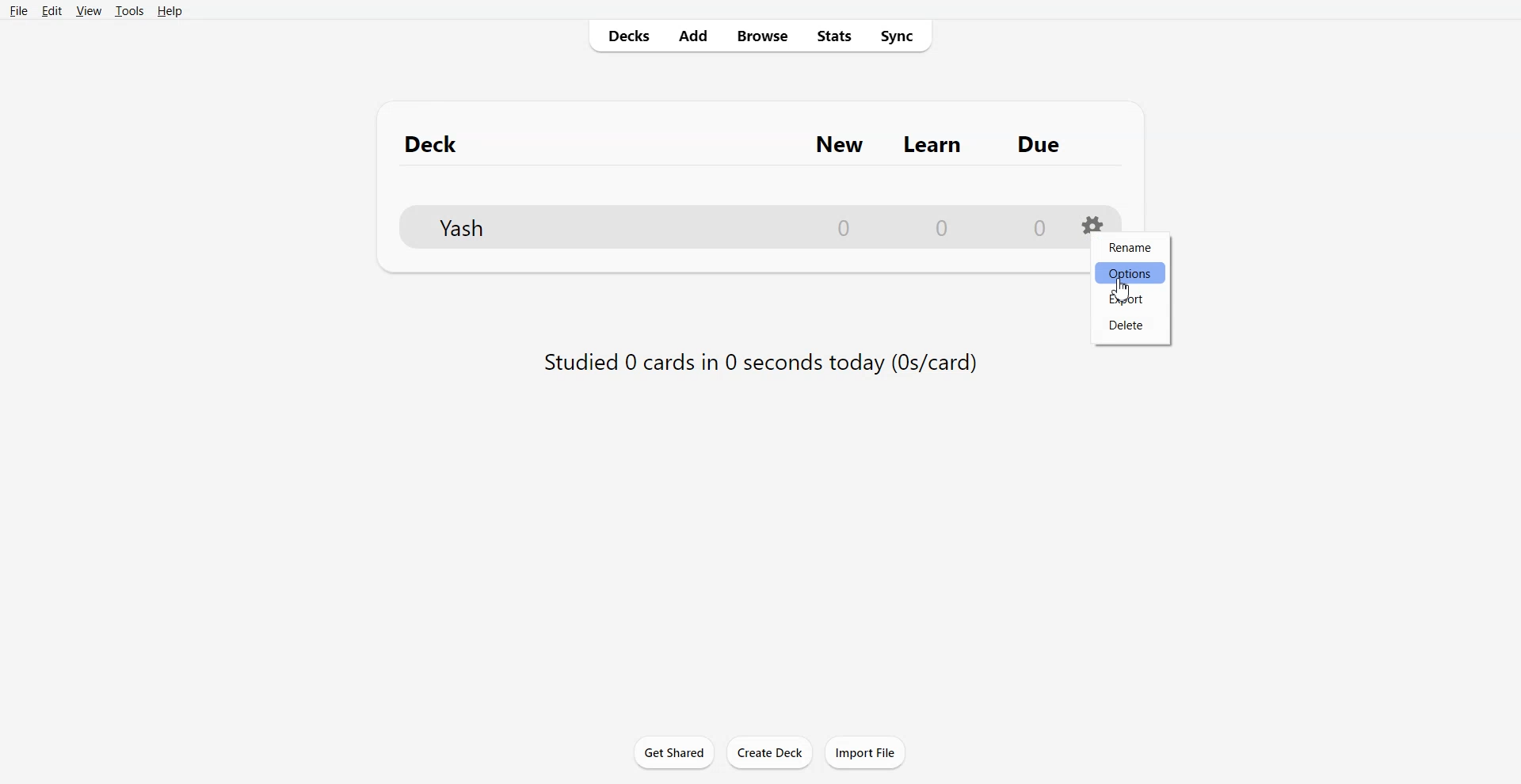 The image size is (1521, 784). I want to click on Export, so click(1129, 299).